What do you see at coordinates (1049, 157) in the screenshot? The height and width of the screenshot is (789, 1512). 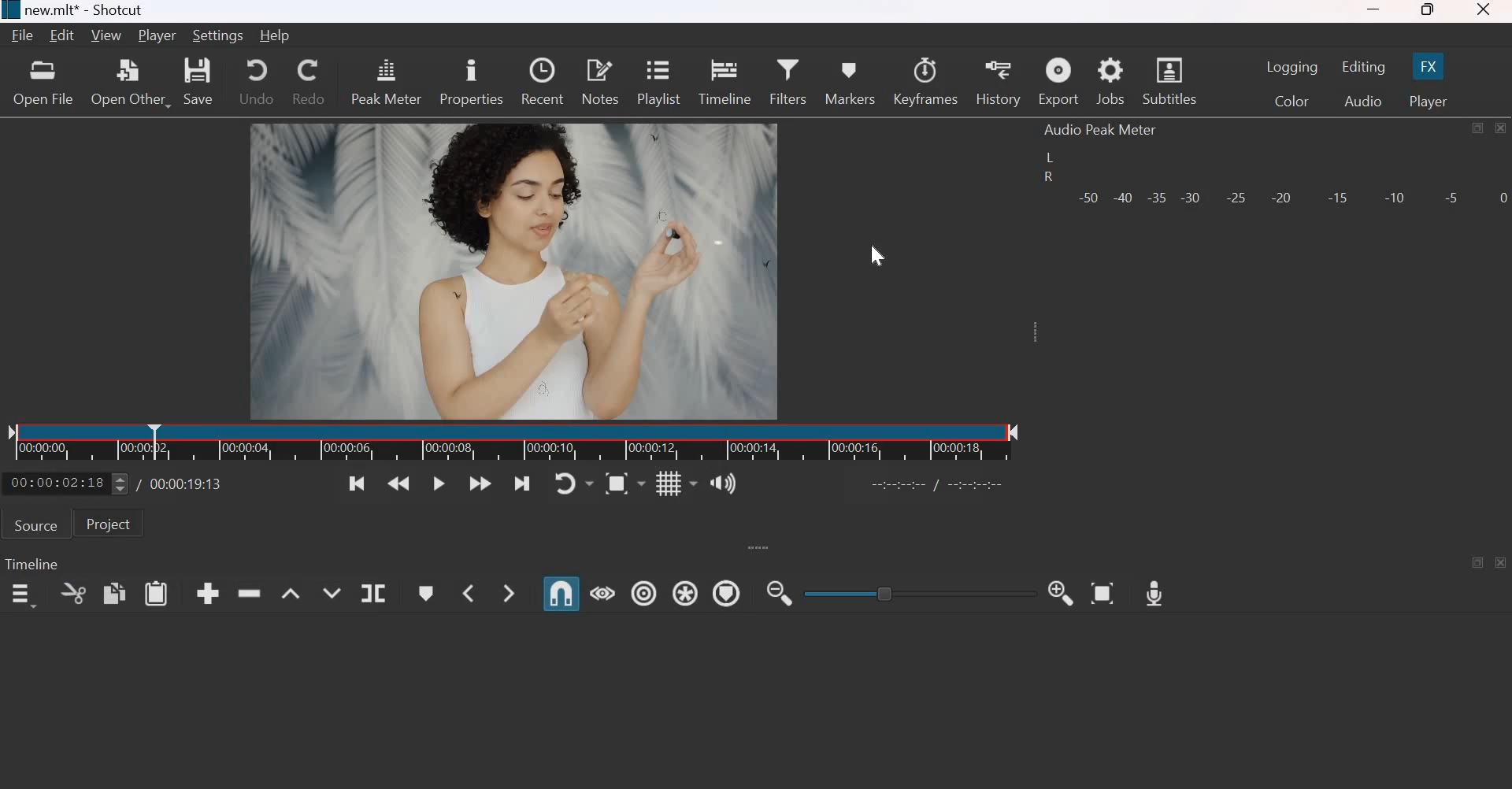 I see `Left` at bounding box center [1049, 157].